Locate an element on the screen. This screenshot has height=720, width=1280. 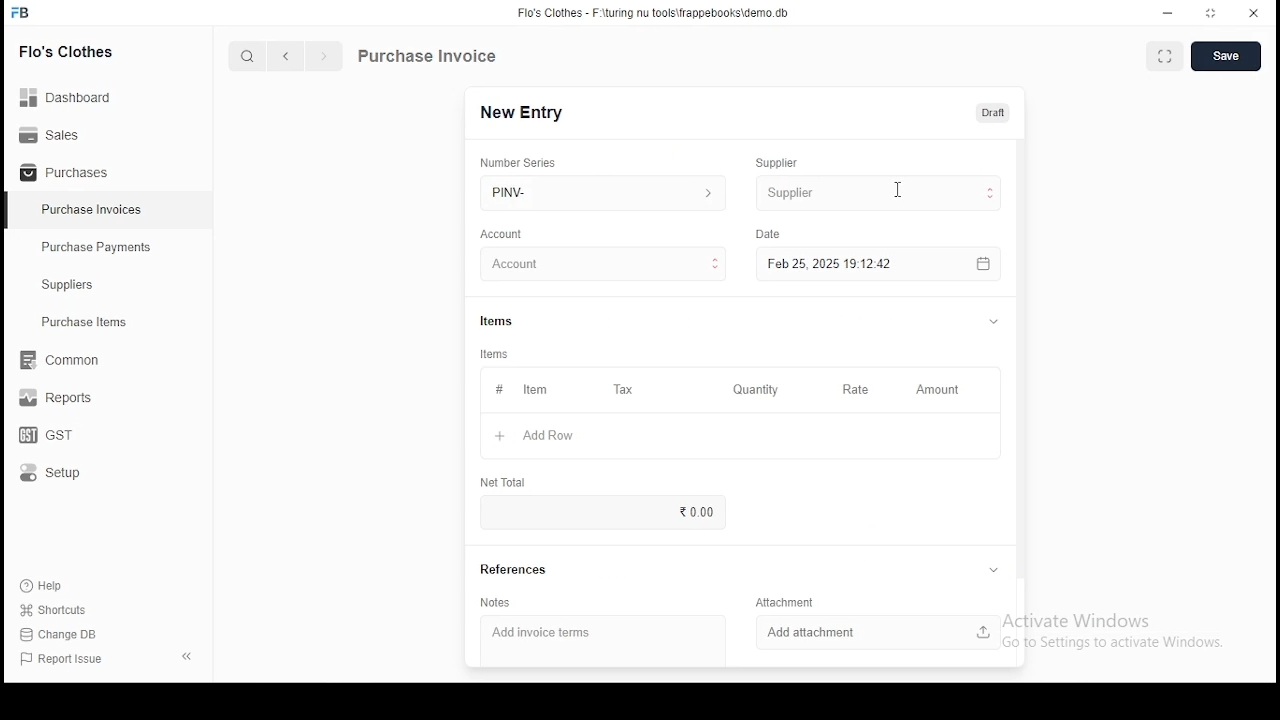
# is located at coordinates (499, 391).